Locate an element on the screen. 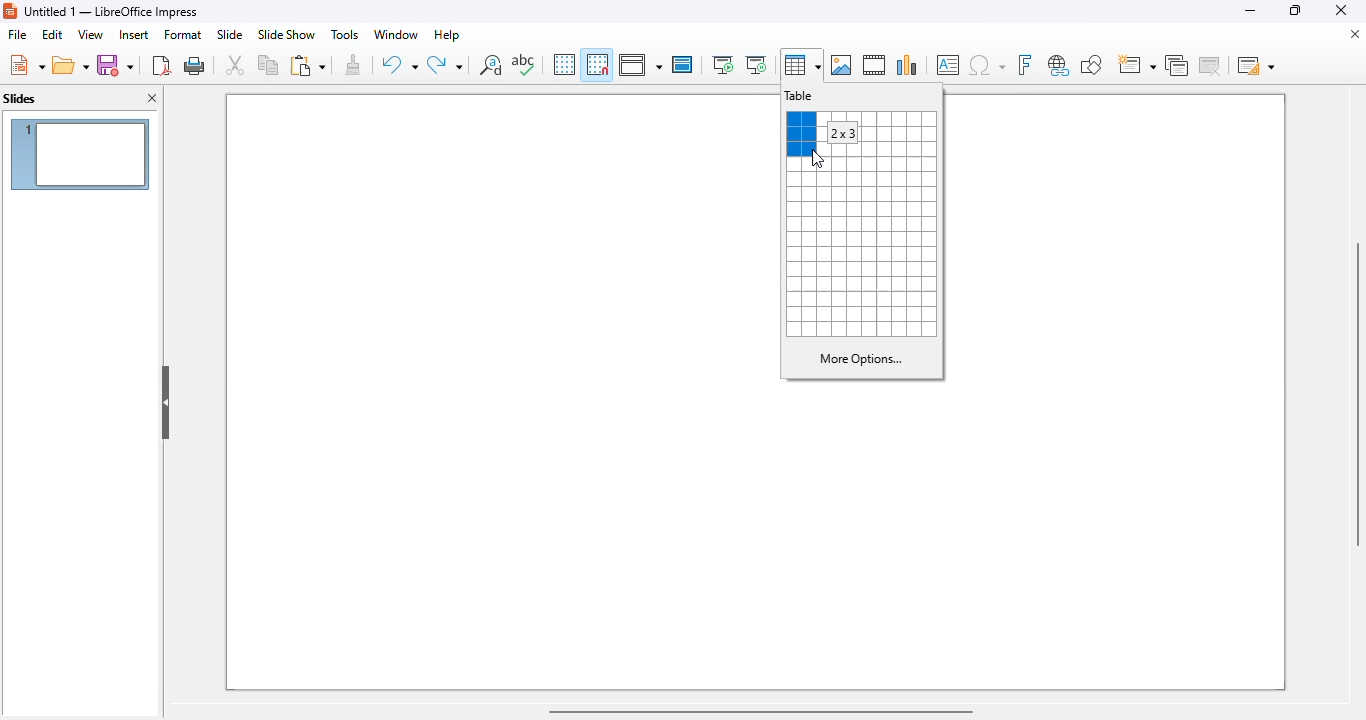 This screenshot has width=1366, height=720. slide layout is located at coordinates (1257, 65).